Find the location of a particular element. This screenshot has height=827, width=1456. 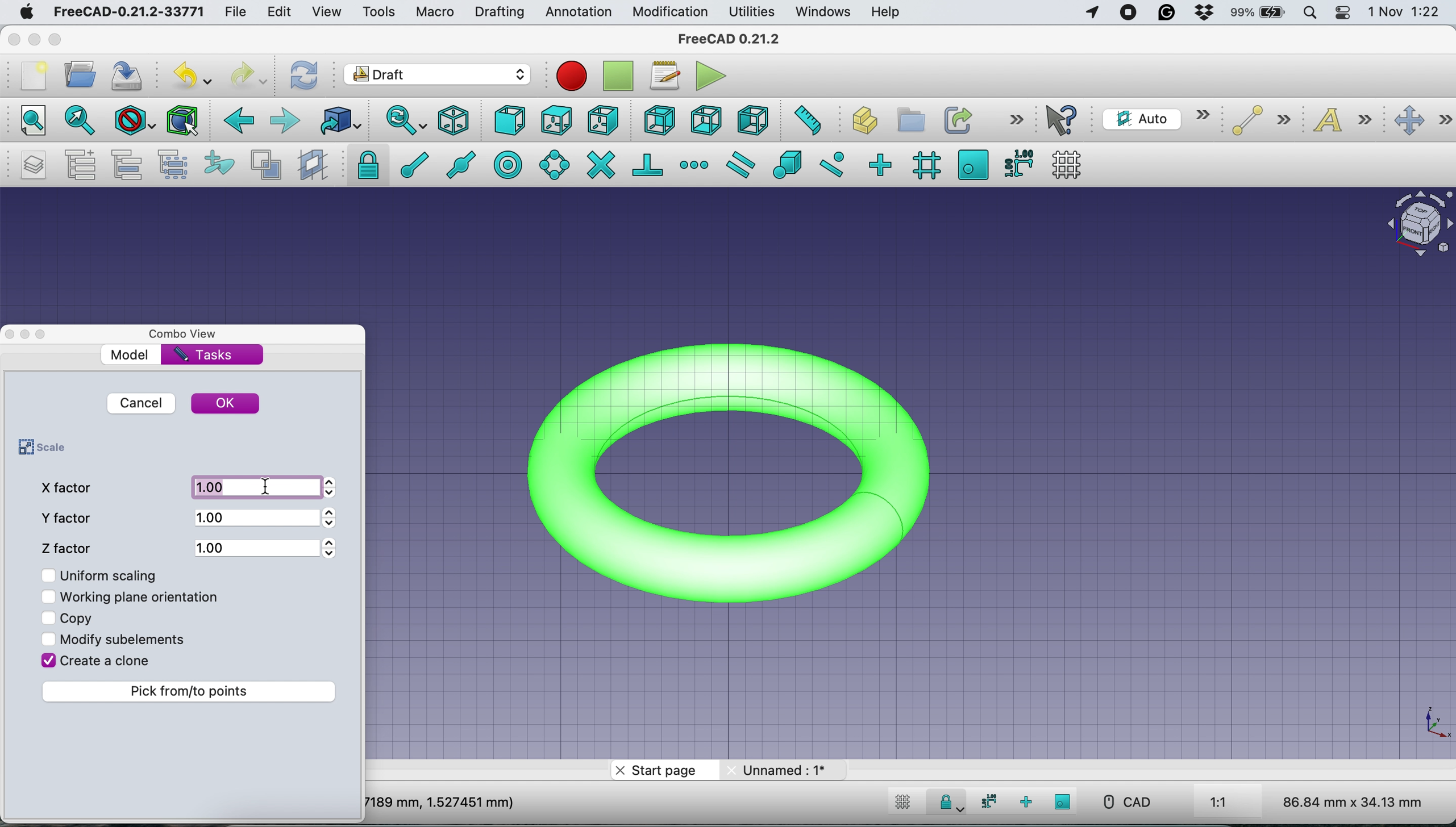

Checkbox is located at coordinates (47, 659).